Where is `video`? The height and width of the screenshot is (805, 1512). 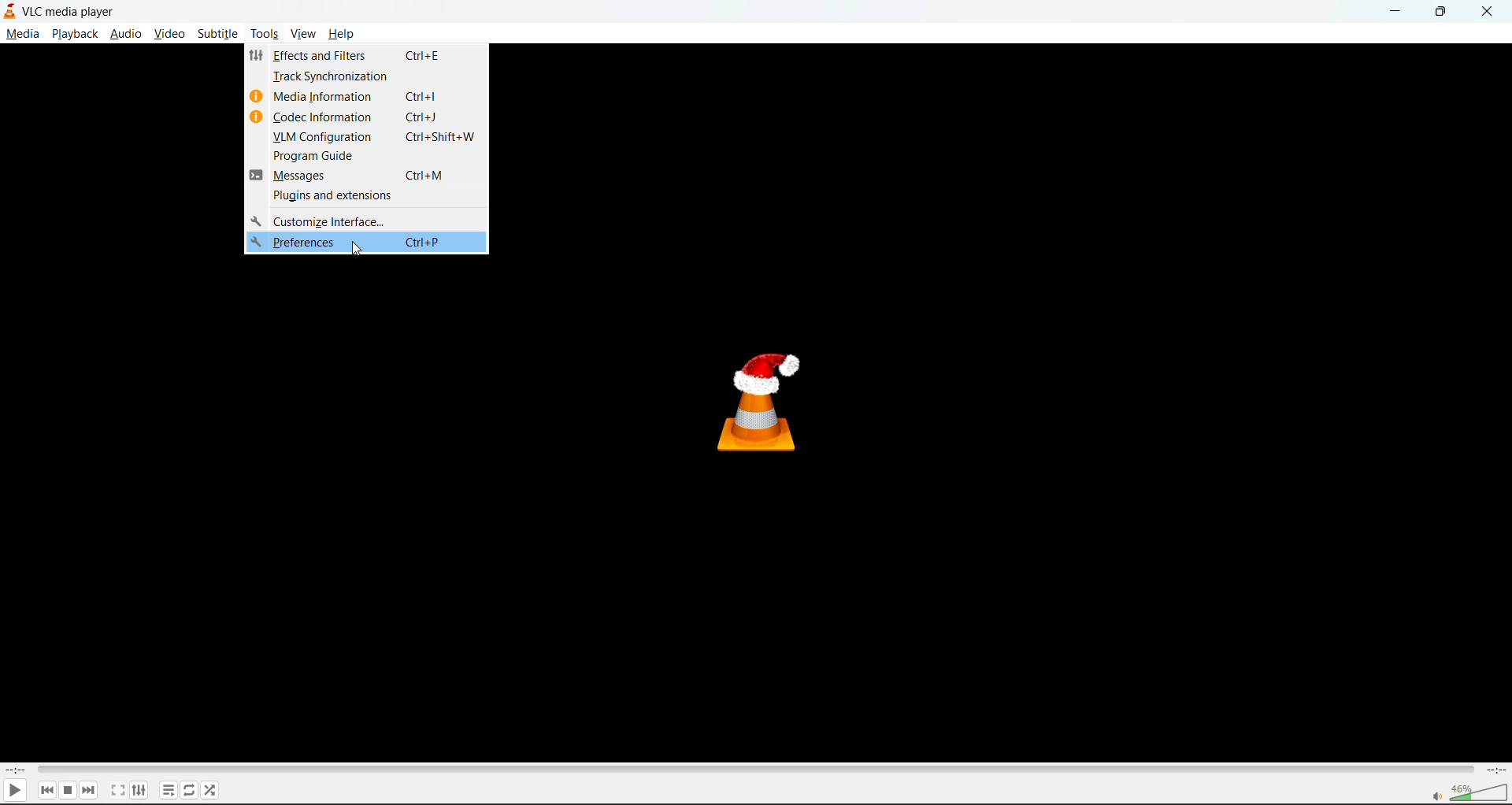
video is located at coordinates (169, 35).